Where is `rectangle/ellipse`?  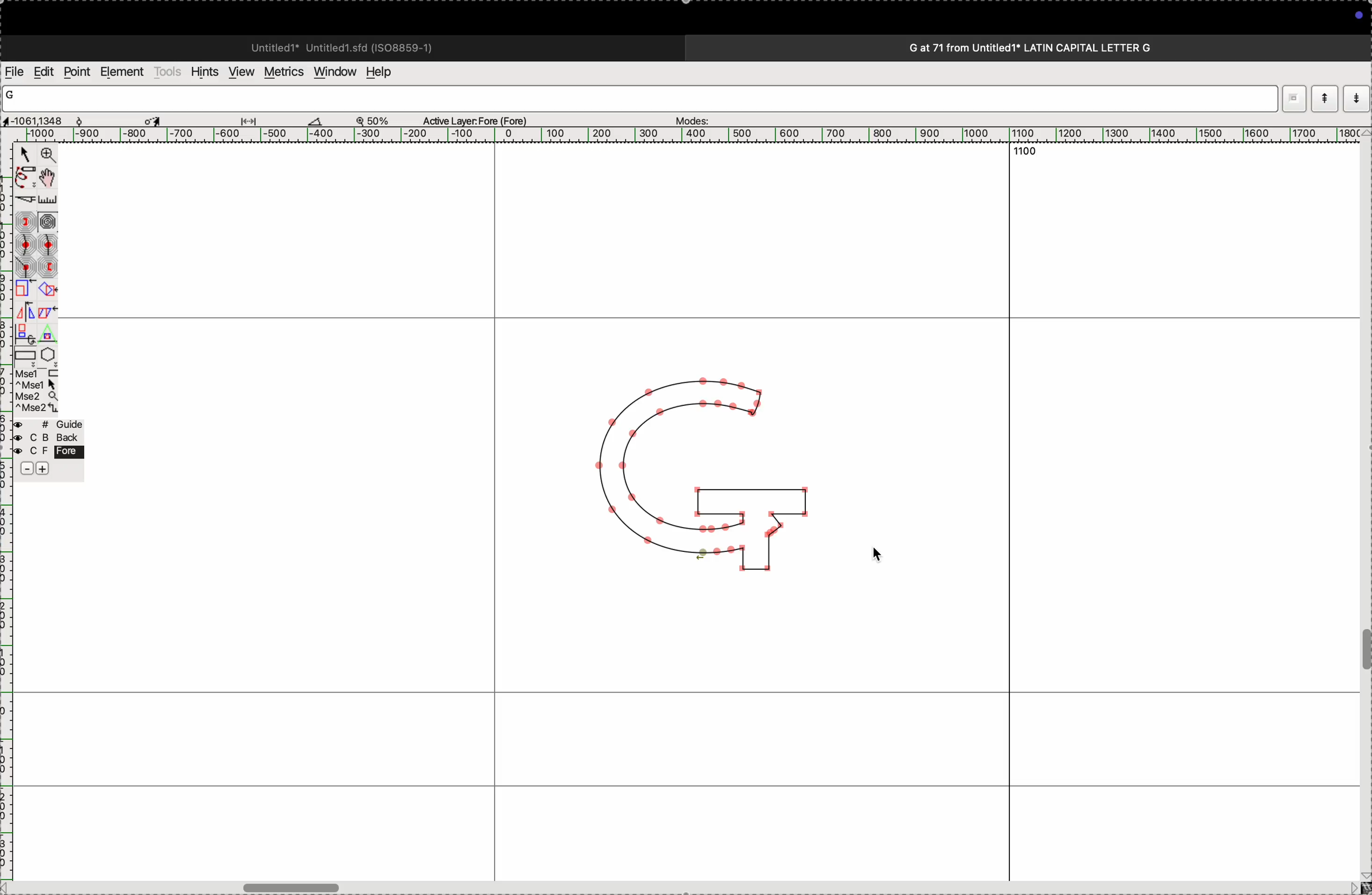 rectangle/ellipse is located at coordinates (26, 355).